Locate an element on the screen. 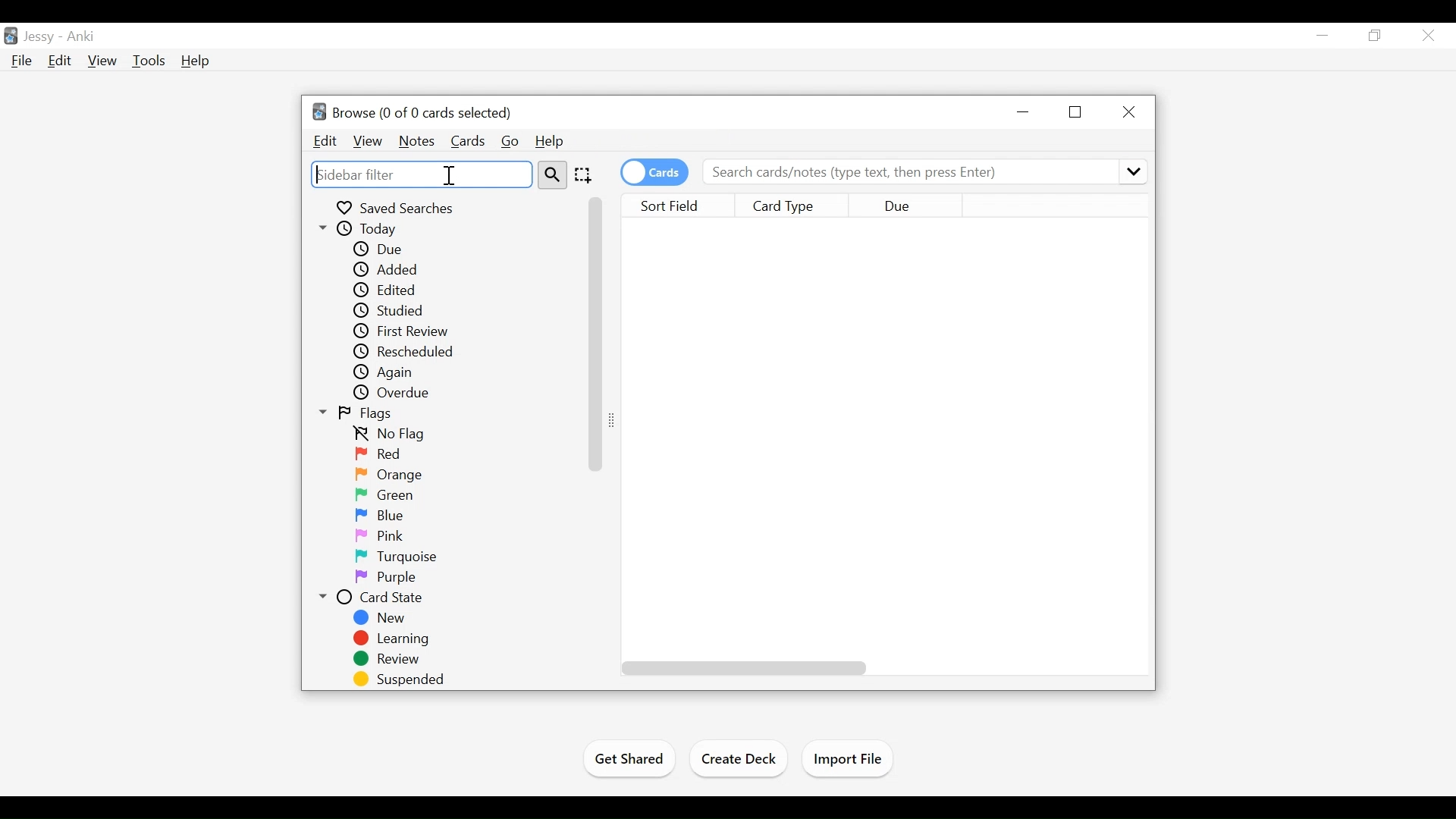 The width and height of the screenshot is (1456, 819). Sort Fields is located at coordinates (683, 206).